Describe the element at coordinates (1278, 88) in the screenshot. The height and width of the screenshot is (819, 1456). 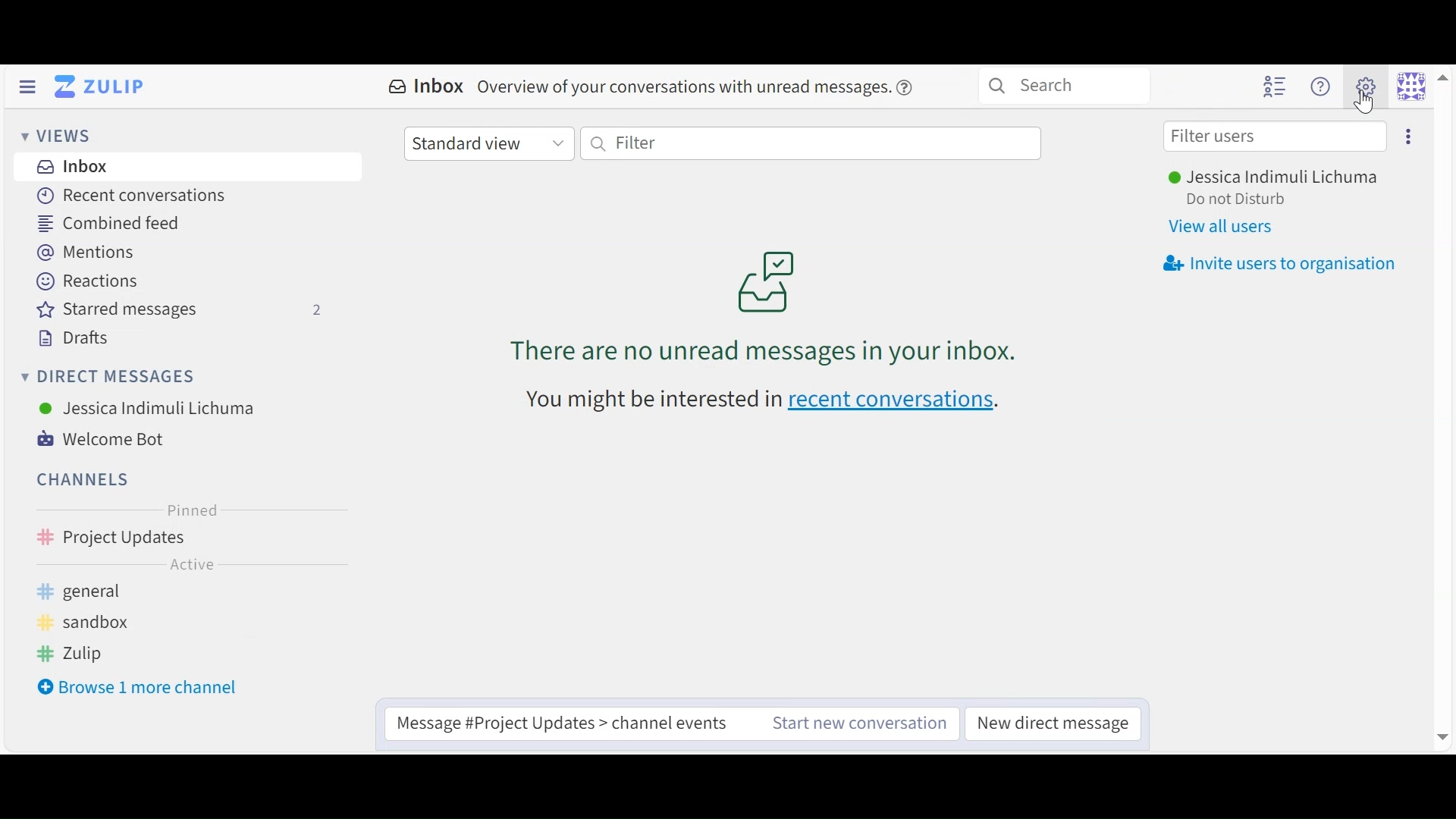
I see `Hide User list` at that location.